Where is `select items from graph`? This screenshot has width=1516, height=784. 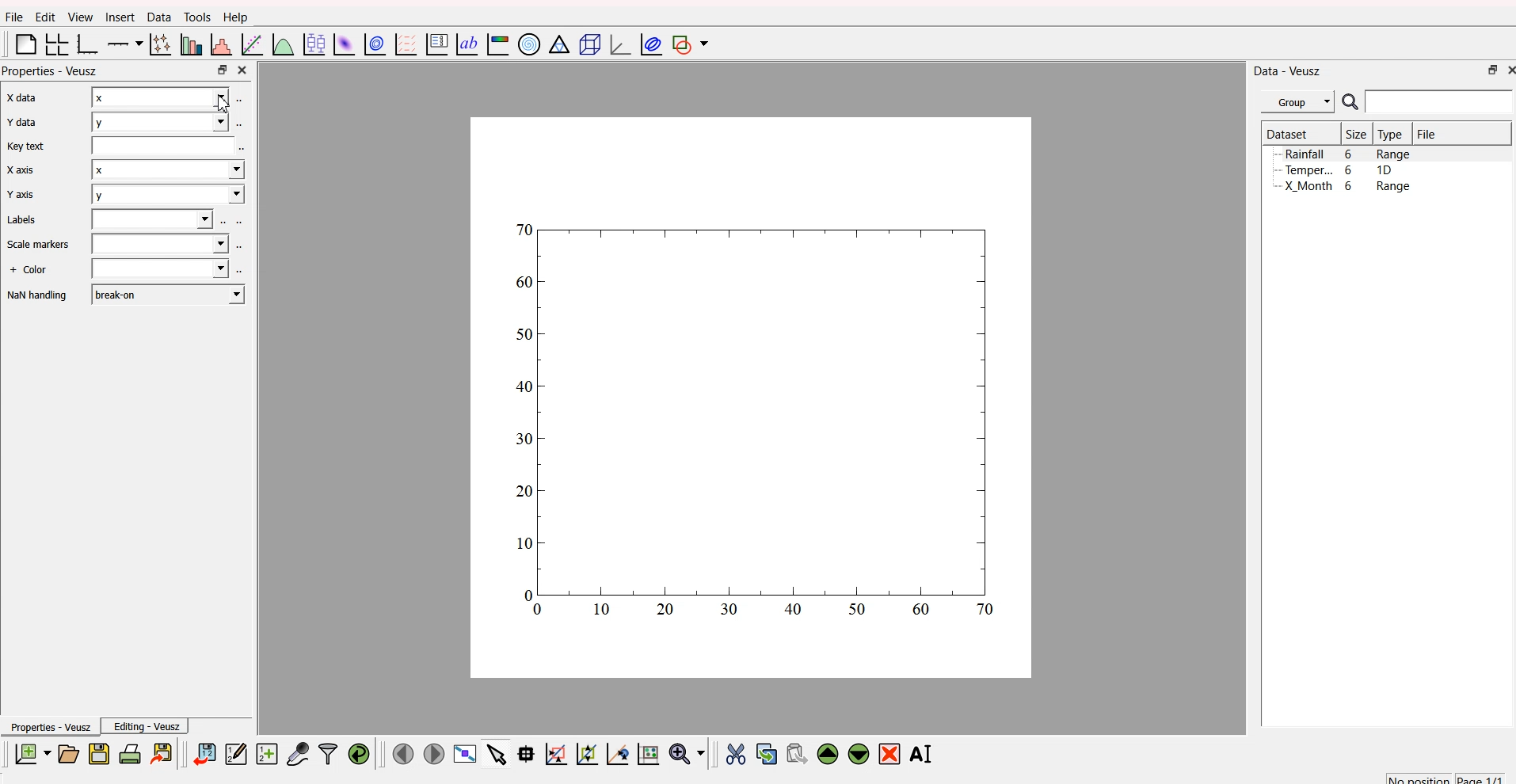
select items from graph is located at coordinates (495, 755).